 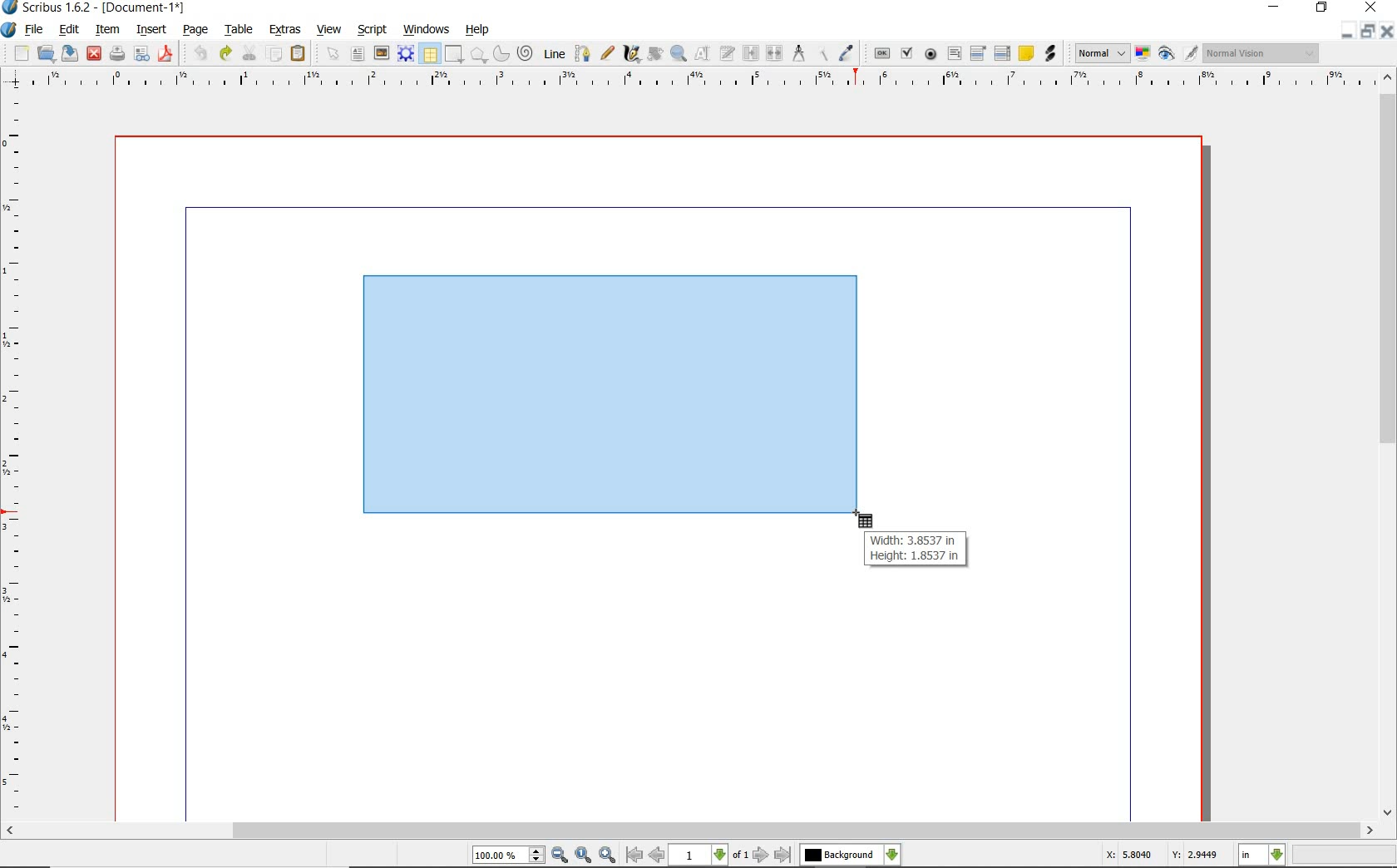 I want to click on go to next page, so click(x=761, y=855).